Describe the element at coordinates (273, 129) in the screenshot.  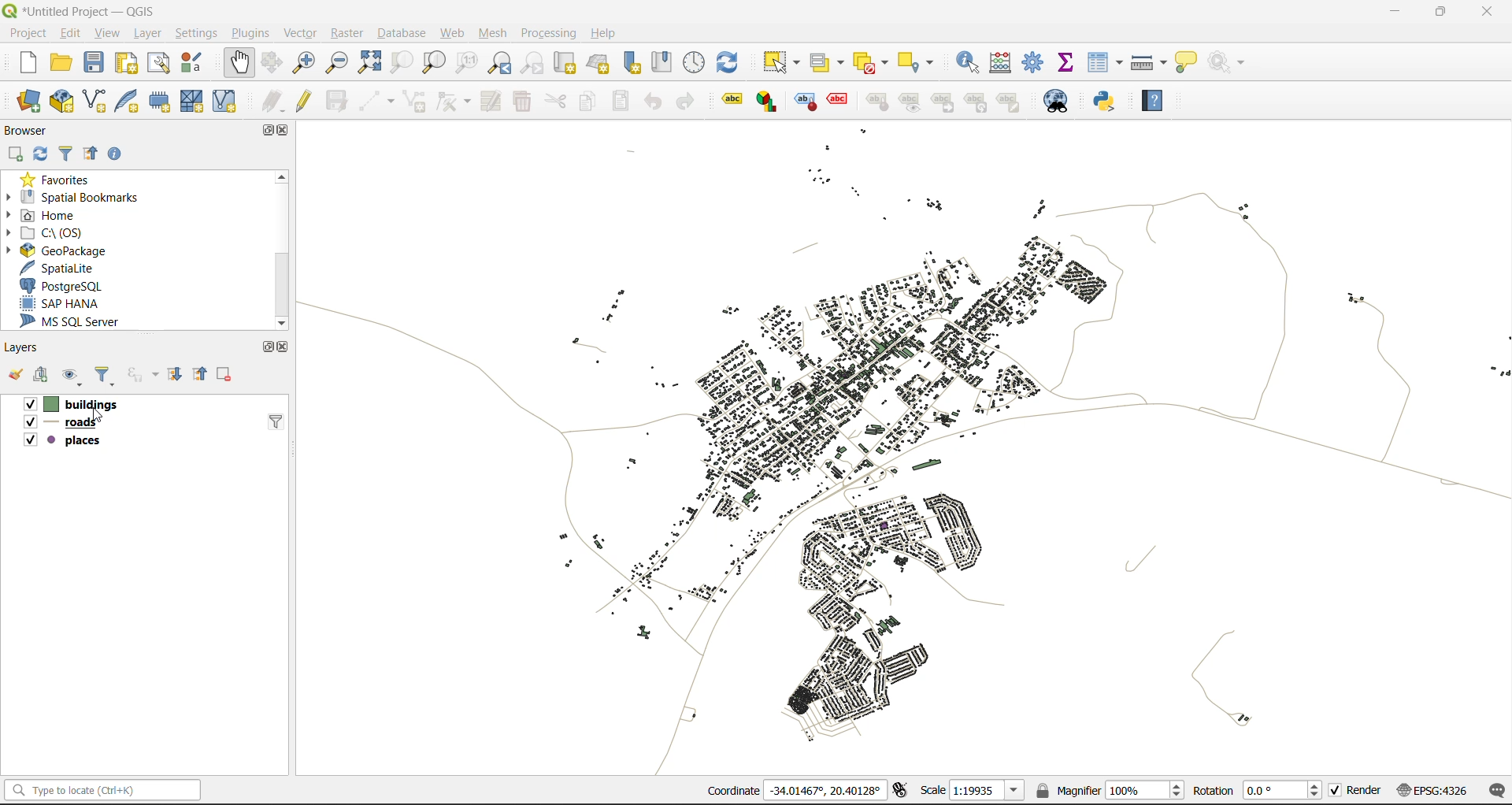
I see `maximize` at that location.